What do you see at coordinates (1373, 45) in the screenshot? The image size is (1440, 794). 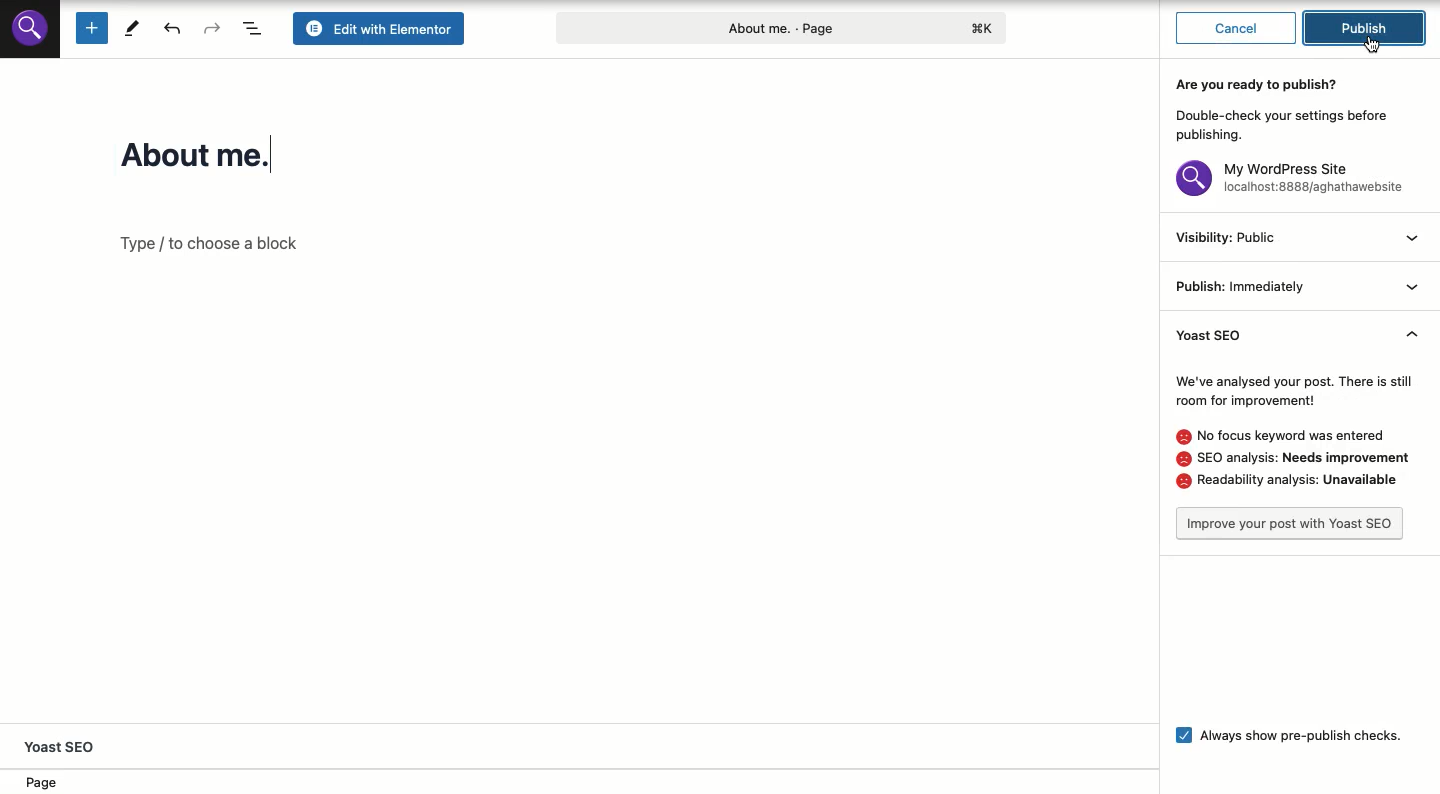 I see `Cursor` at bounding box center [1373, 45].